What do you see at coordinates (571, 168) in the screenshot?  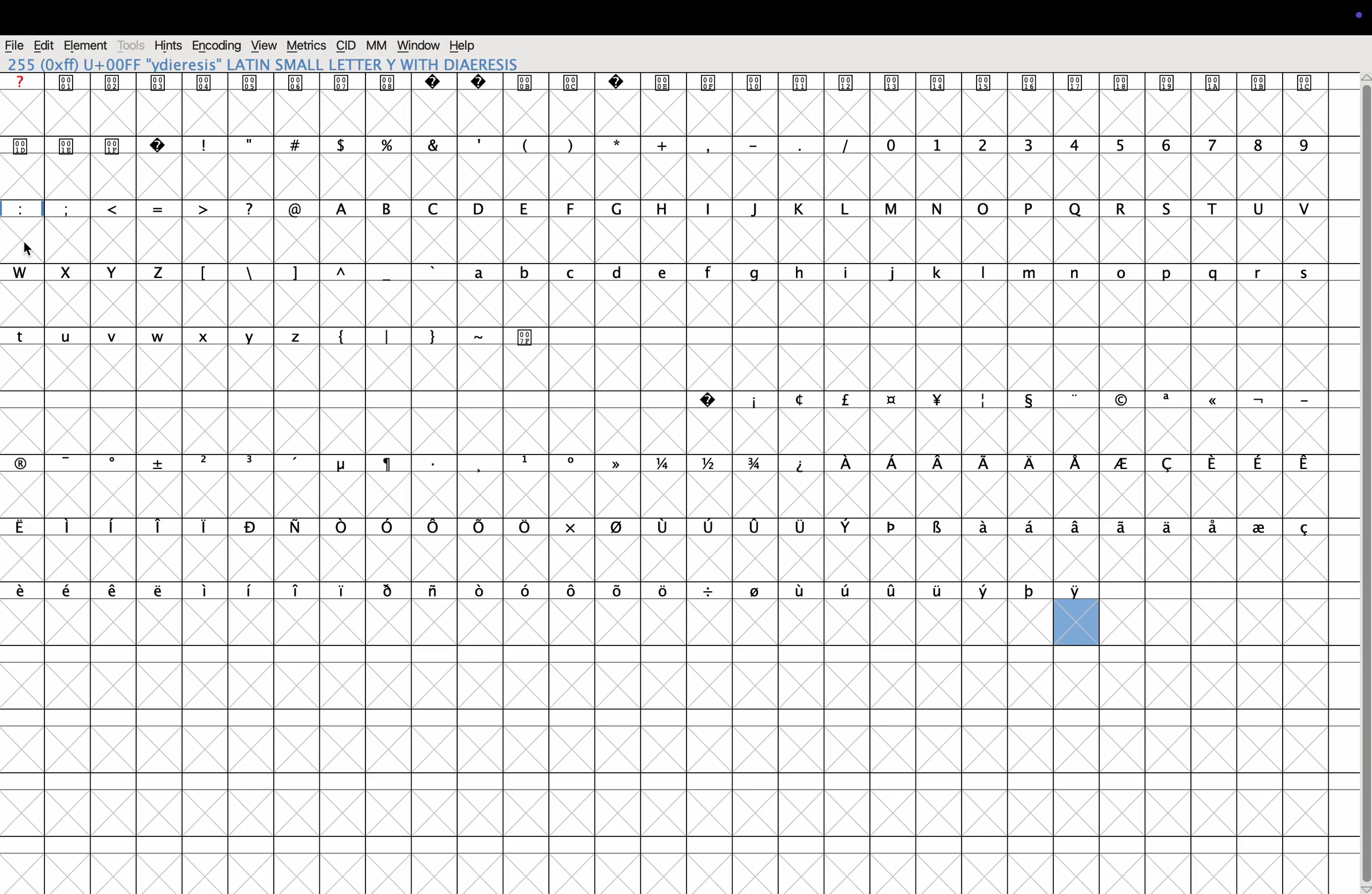 I see `)` at bounding box center [571, 168].